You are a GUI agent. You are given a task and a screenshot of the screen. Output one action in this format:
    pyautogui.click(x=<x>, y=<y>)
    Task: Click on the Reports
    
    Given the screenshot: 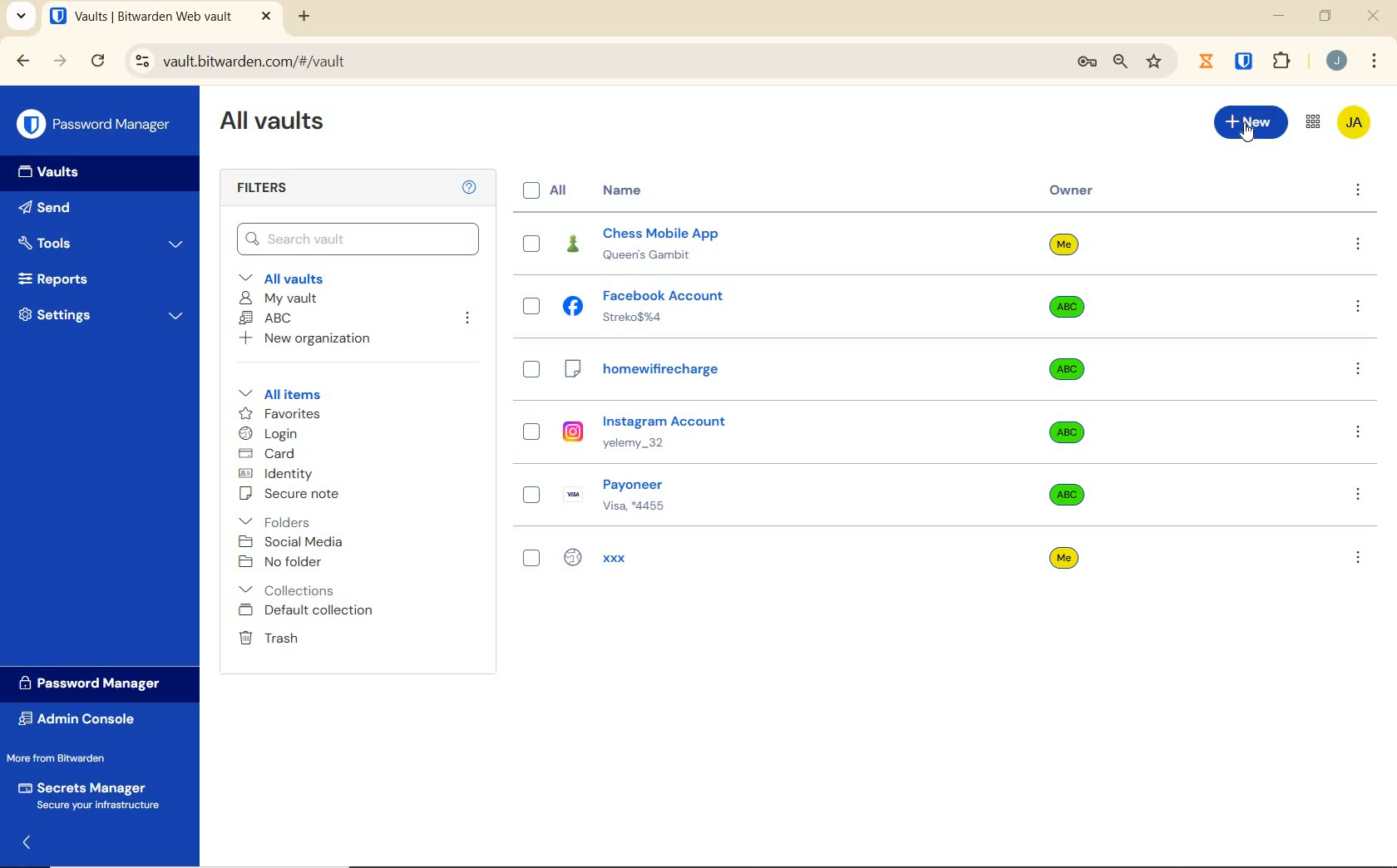 What is the action you would take?
    pyautogui.click(x=63, y=278)
    